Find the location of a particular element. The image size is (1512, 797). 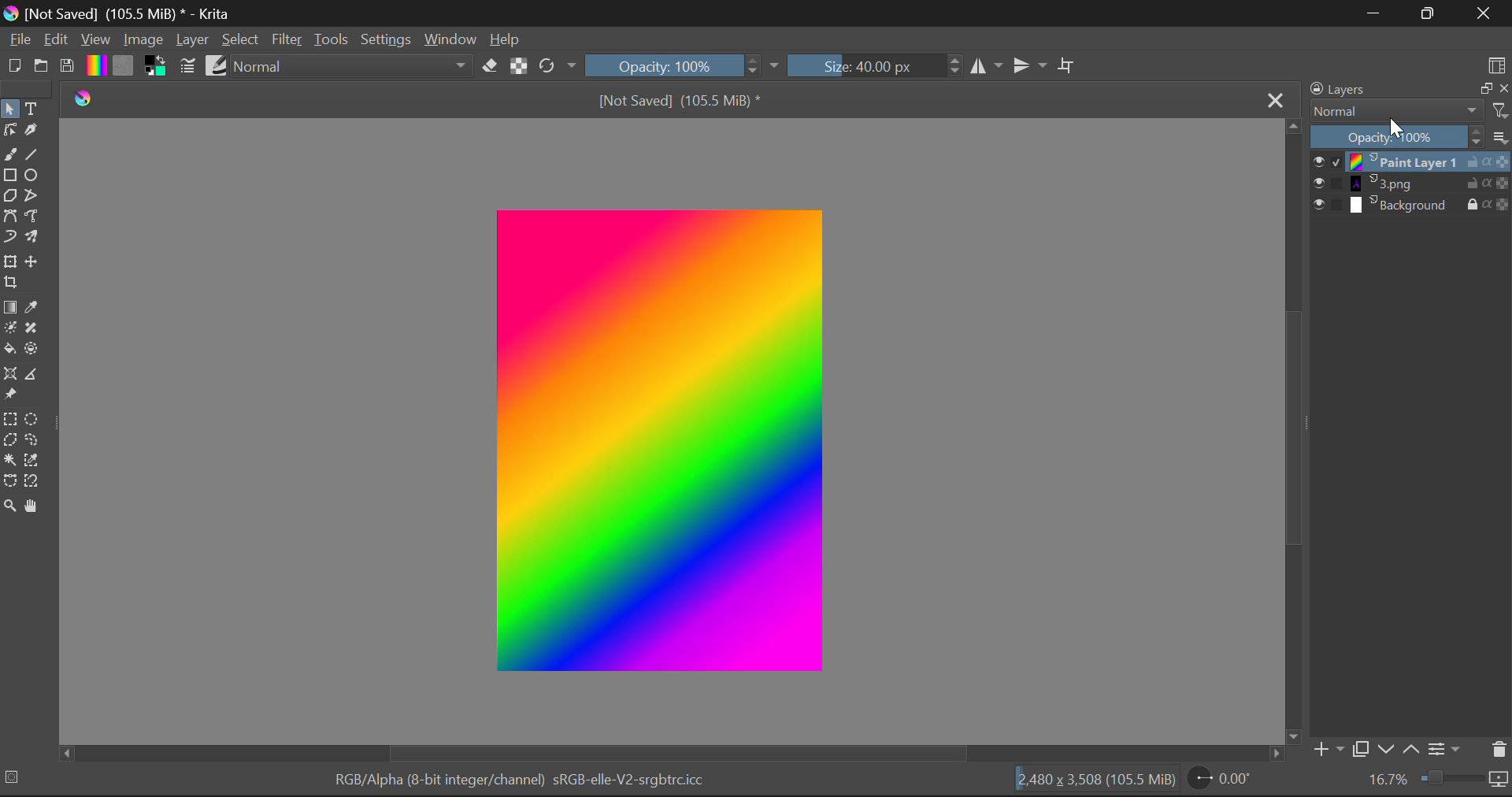

lock layer is located at coordinates (1477, 202).